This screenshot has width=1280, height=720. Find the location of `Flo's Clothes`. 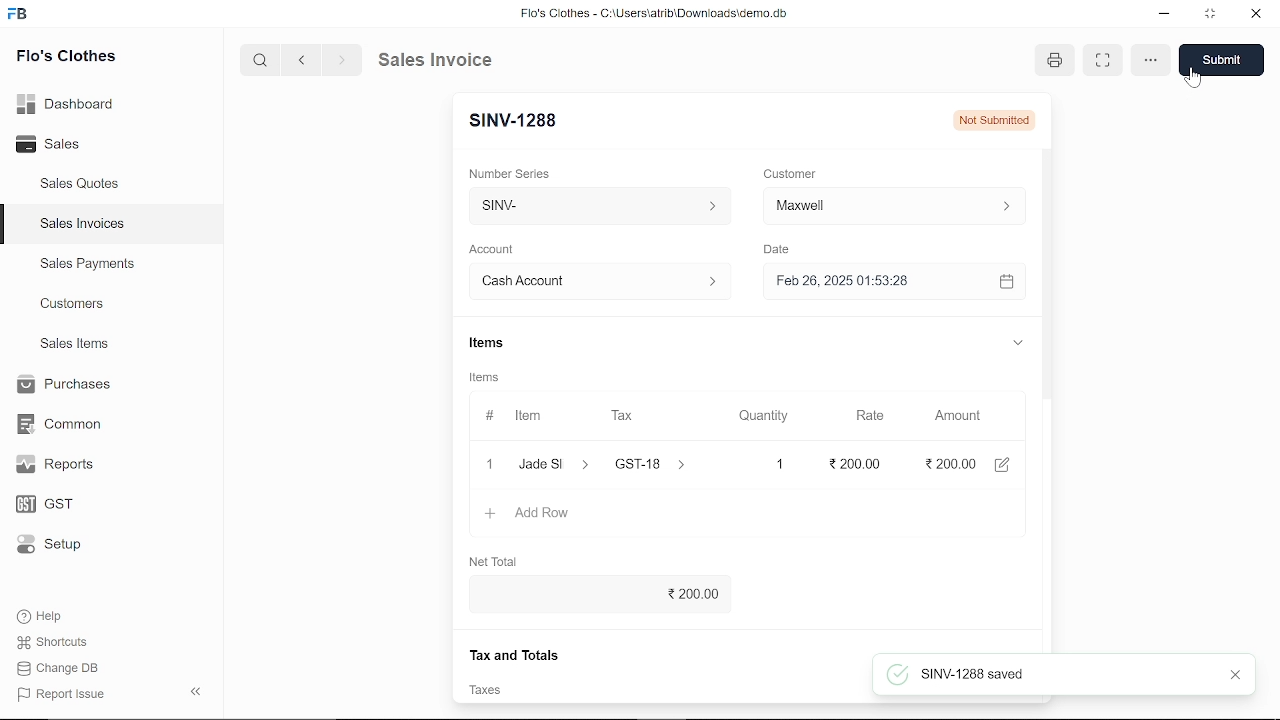

Flo's Clothes is located at coordinates (66, 58).